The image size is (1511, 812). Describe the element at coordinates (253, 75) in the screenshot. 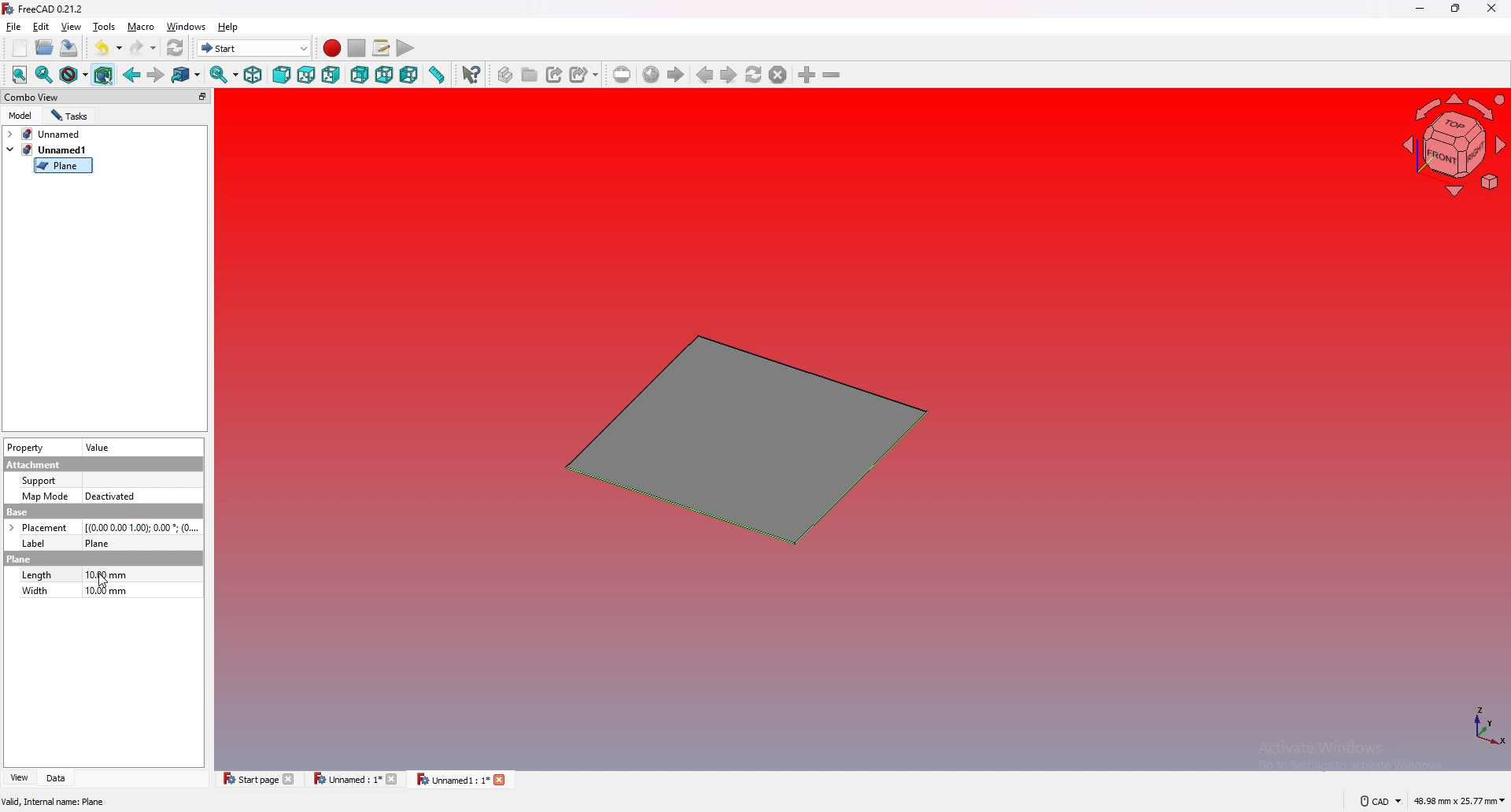

I see `isometric` at that location.